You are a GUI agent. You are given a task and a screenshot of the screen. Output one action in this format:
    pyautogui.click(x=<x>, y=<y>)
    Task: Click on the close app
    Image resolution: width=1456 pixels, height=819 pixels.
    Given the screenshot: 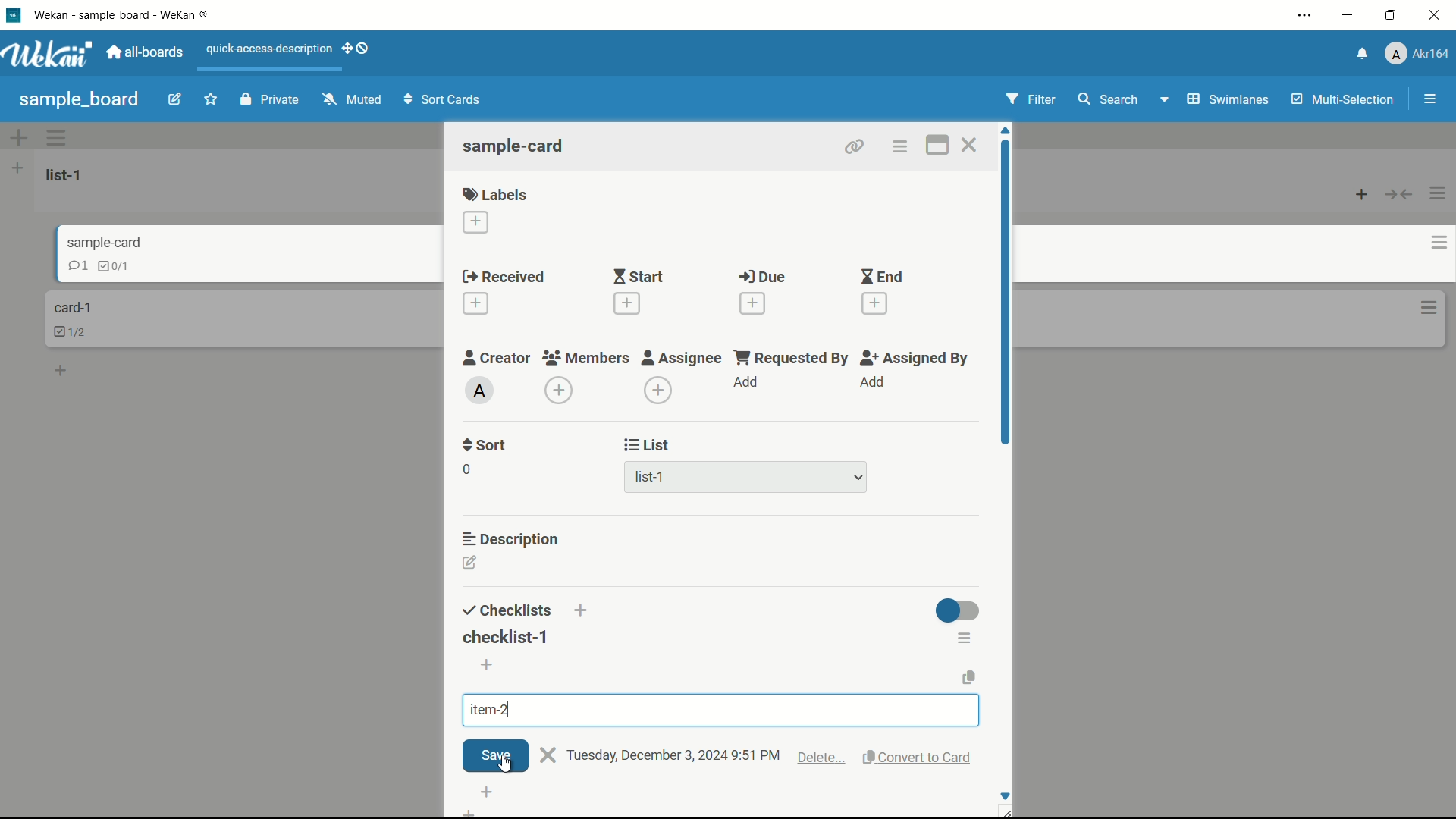 What is the action you would take?
    pyautogui.click(x=1434, y=15)
    